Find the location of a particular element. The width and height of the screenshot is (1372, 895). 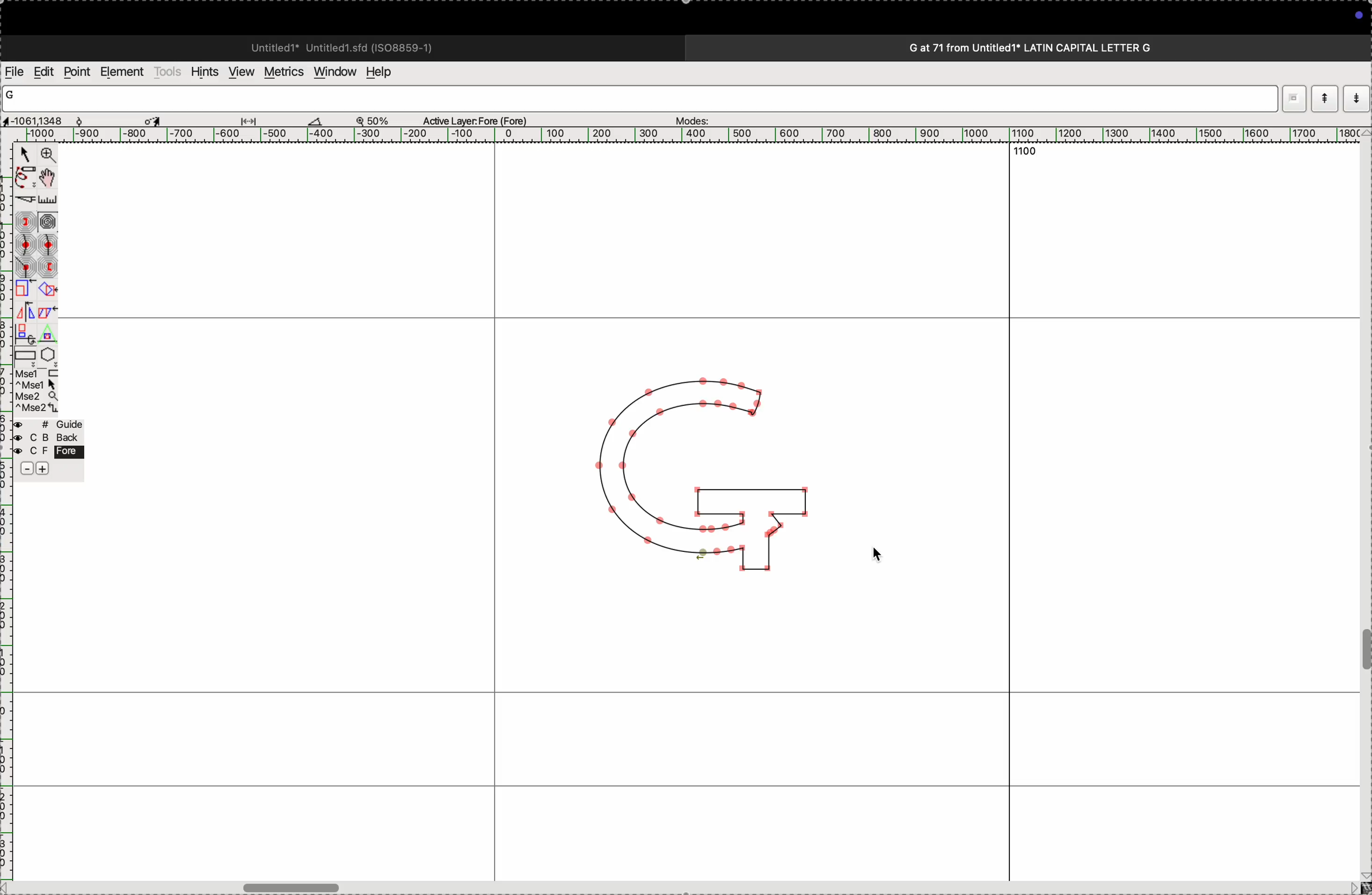

previous constraint point is located at coordinates (48, 267).